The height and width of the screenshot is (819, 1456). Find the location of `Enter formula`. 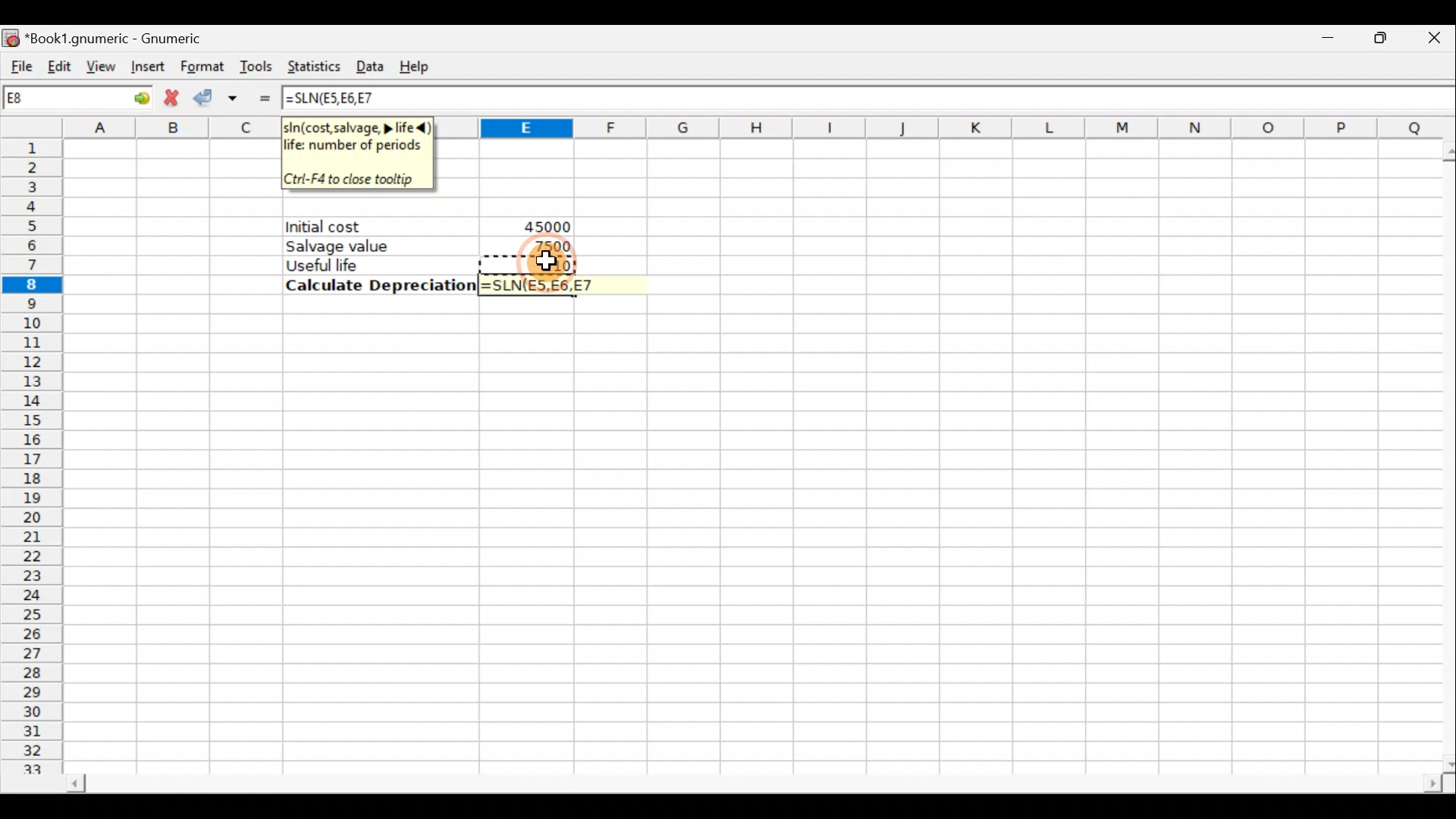

Enter formula is located at coordinates (264, 97).